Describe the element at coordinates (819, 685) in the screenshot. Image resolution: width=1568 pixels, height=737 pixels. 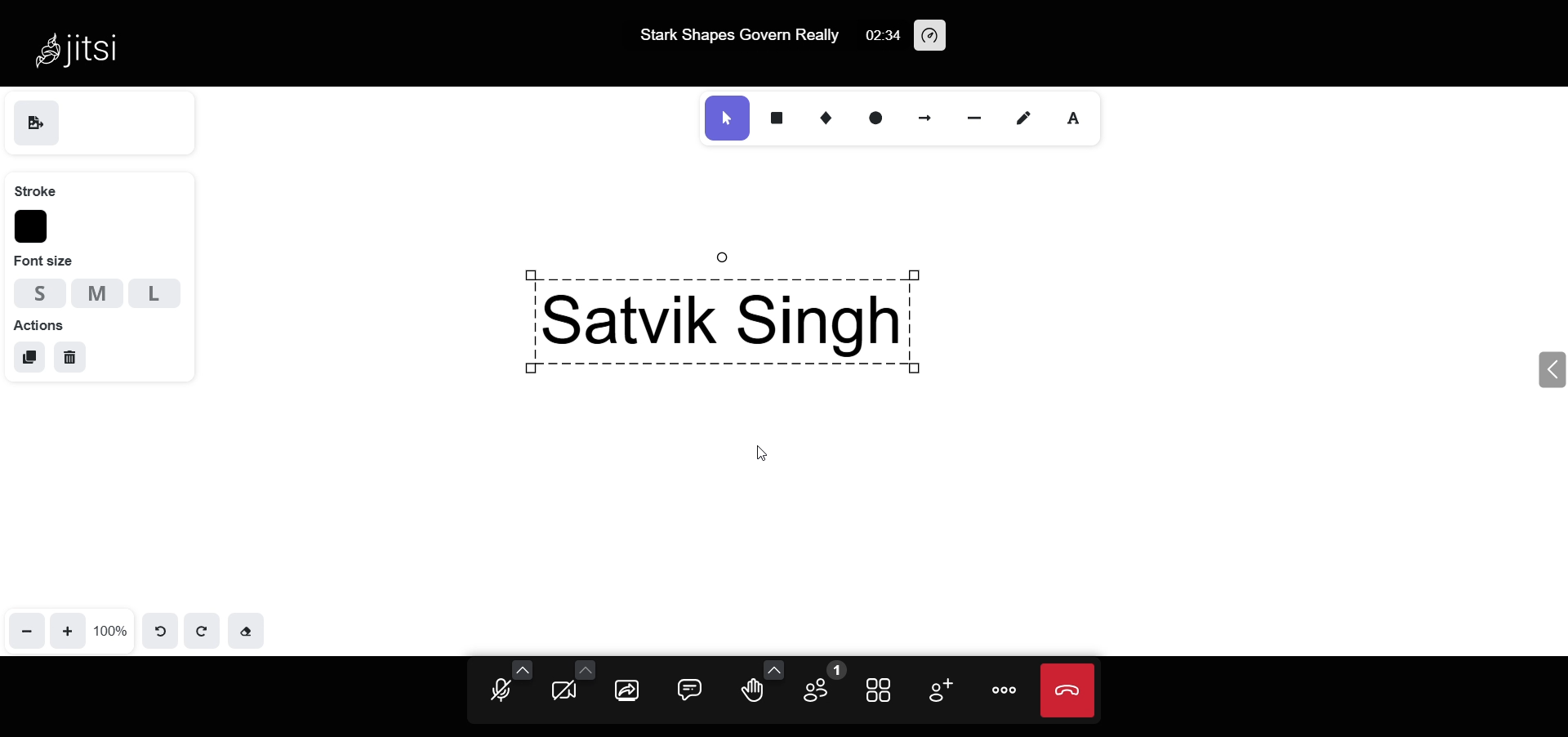
I see `participant` at that location.